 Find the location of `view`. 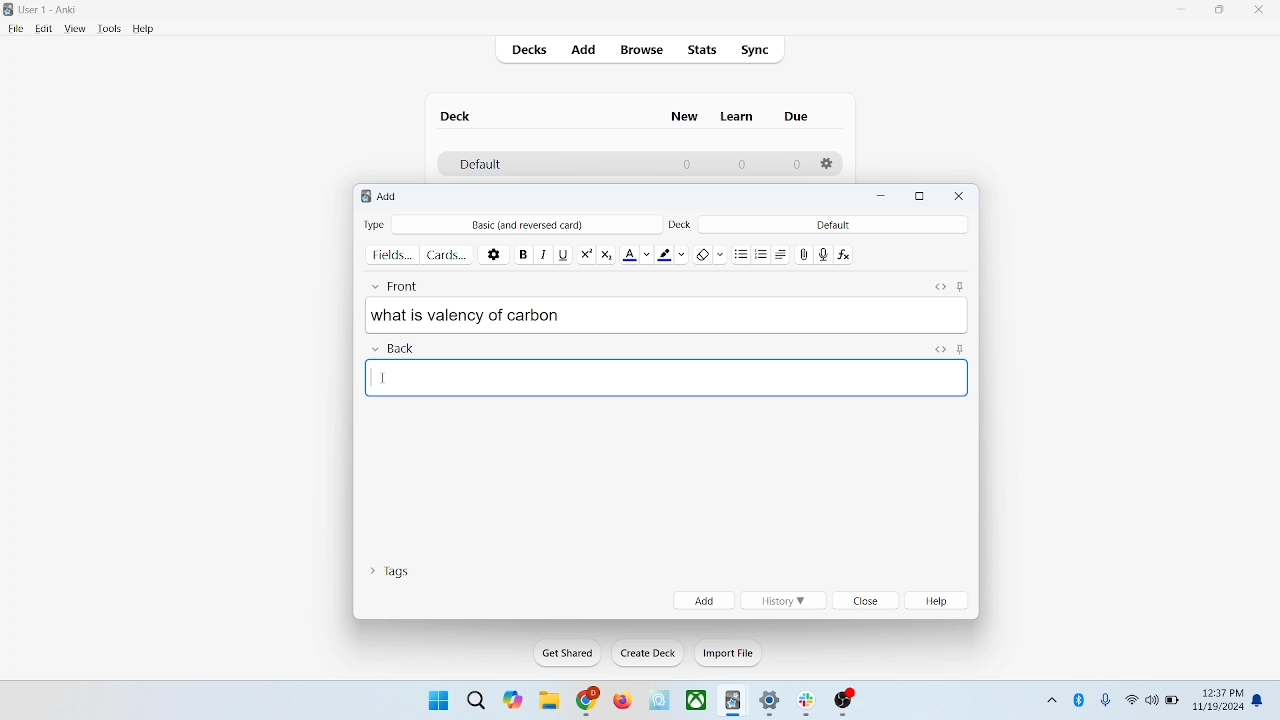

view is located at coordinates (76, 29).